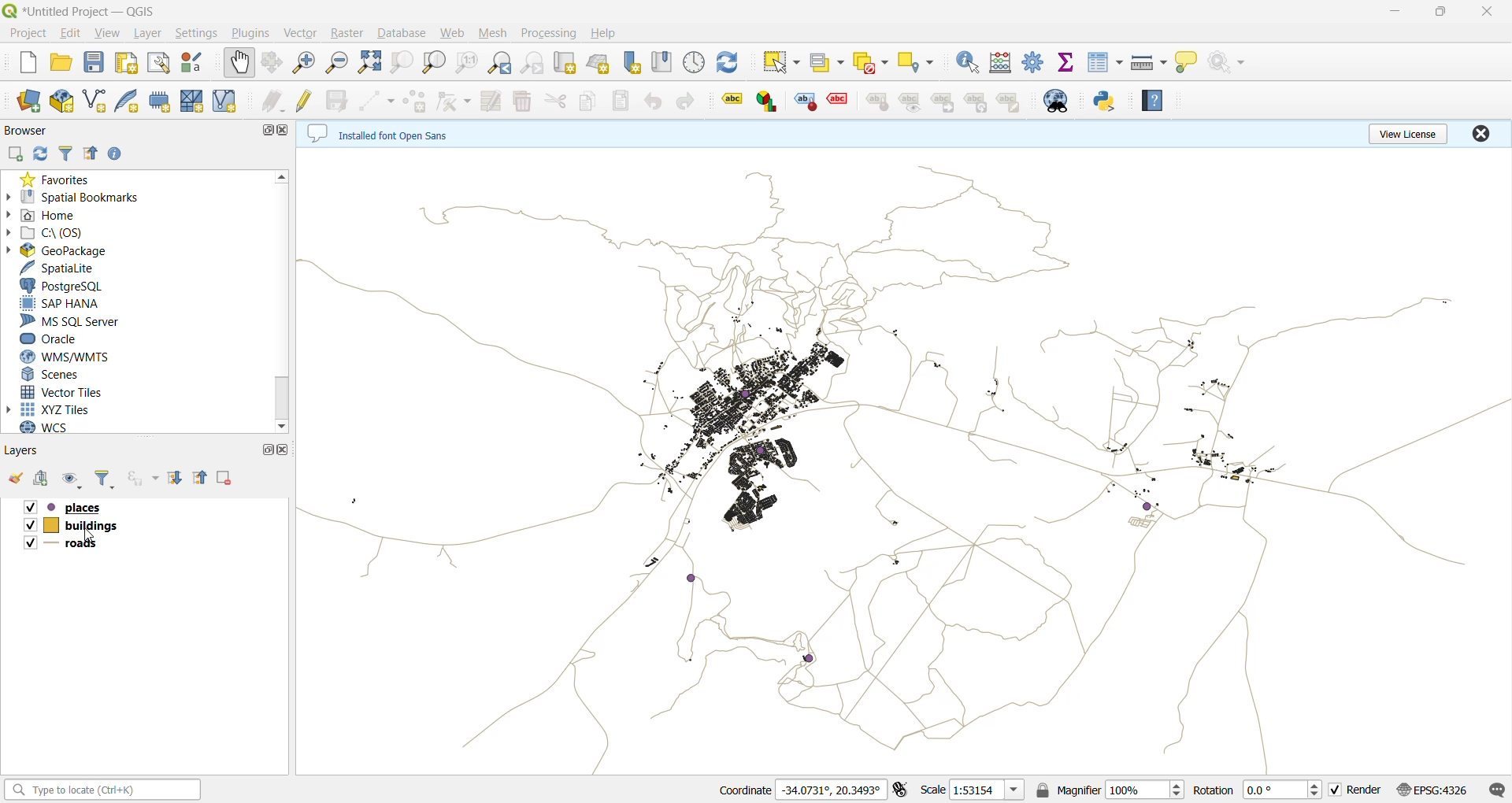 This screenshot has height=803, width=1512. Describe the element at coordinates (229, 101) in the screenshot. I see `new virtual layer` at that location.